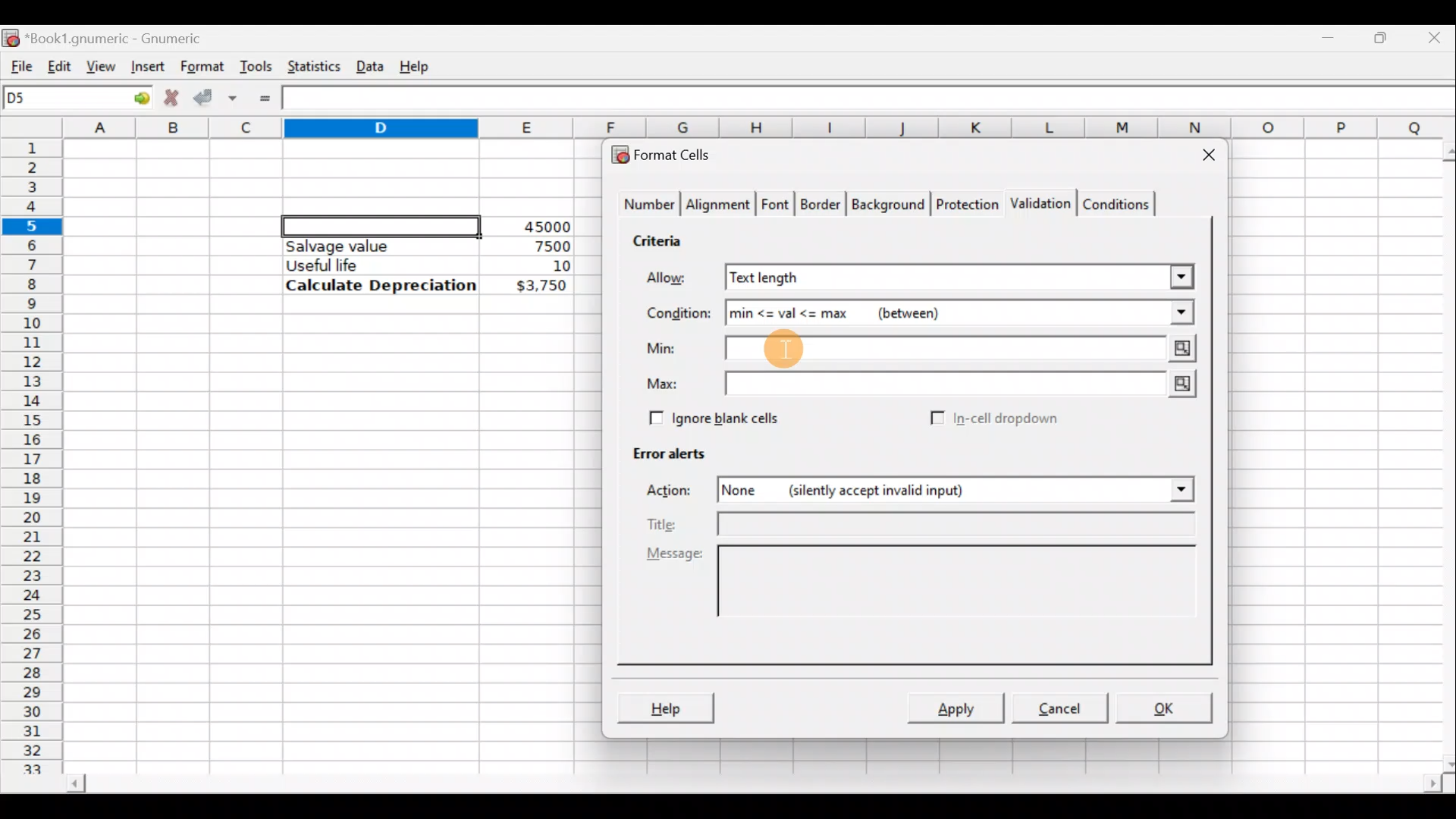  Describe the element at coordinates (1437, 36) in the screenshot. I see `Close` at that location.